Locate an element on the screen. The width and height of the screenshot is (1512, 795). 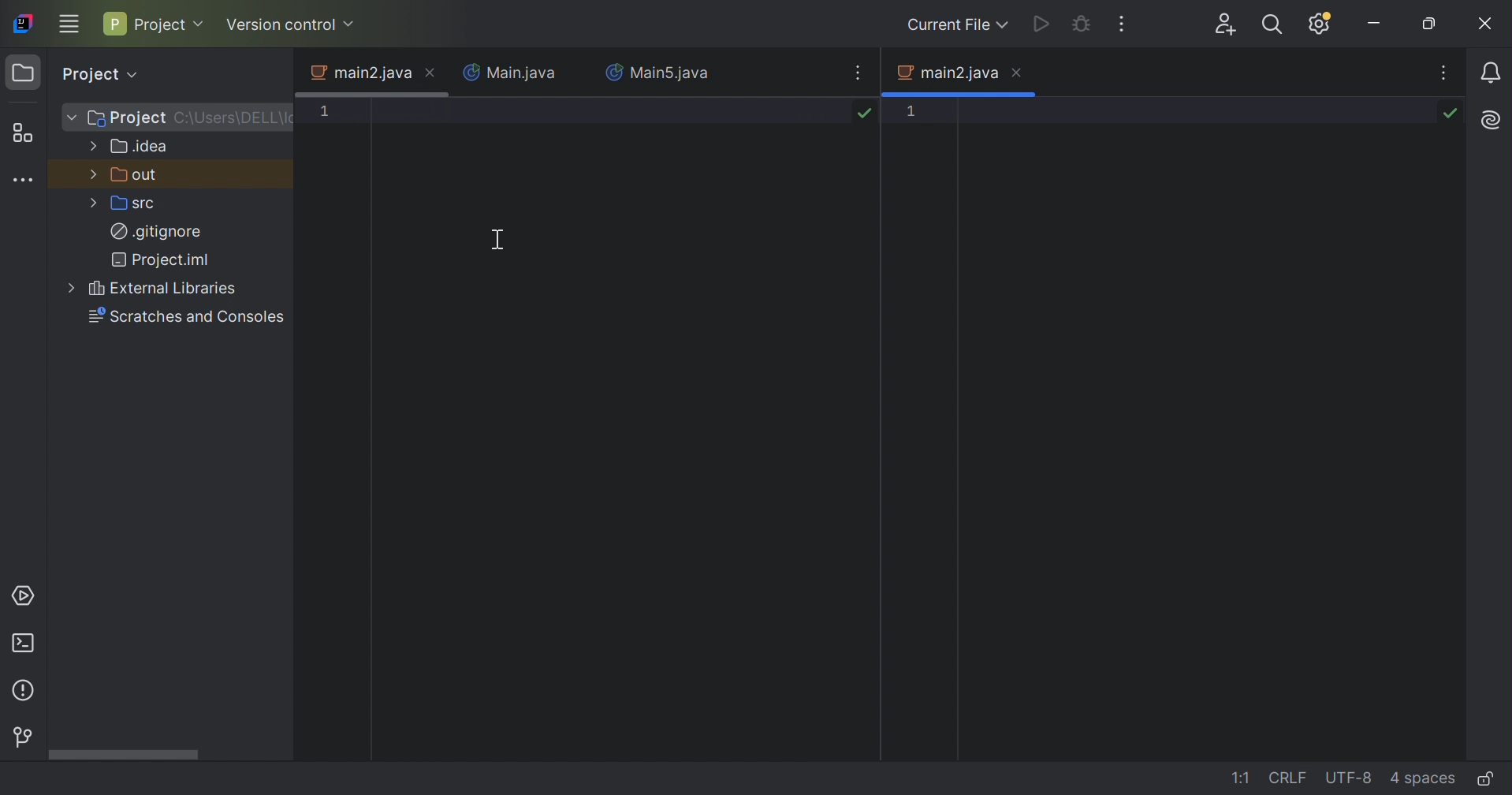
1 is located at coordinates (332, 114).